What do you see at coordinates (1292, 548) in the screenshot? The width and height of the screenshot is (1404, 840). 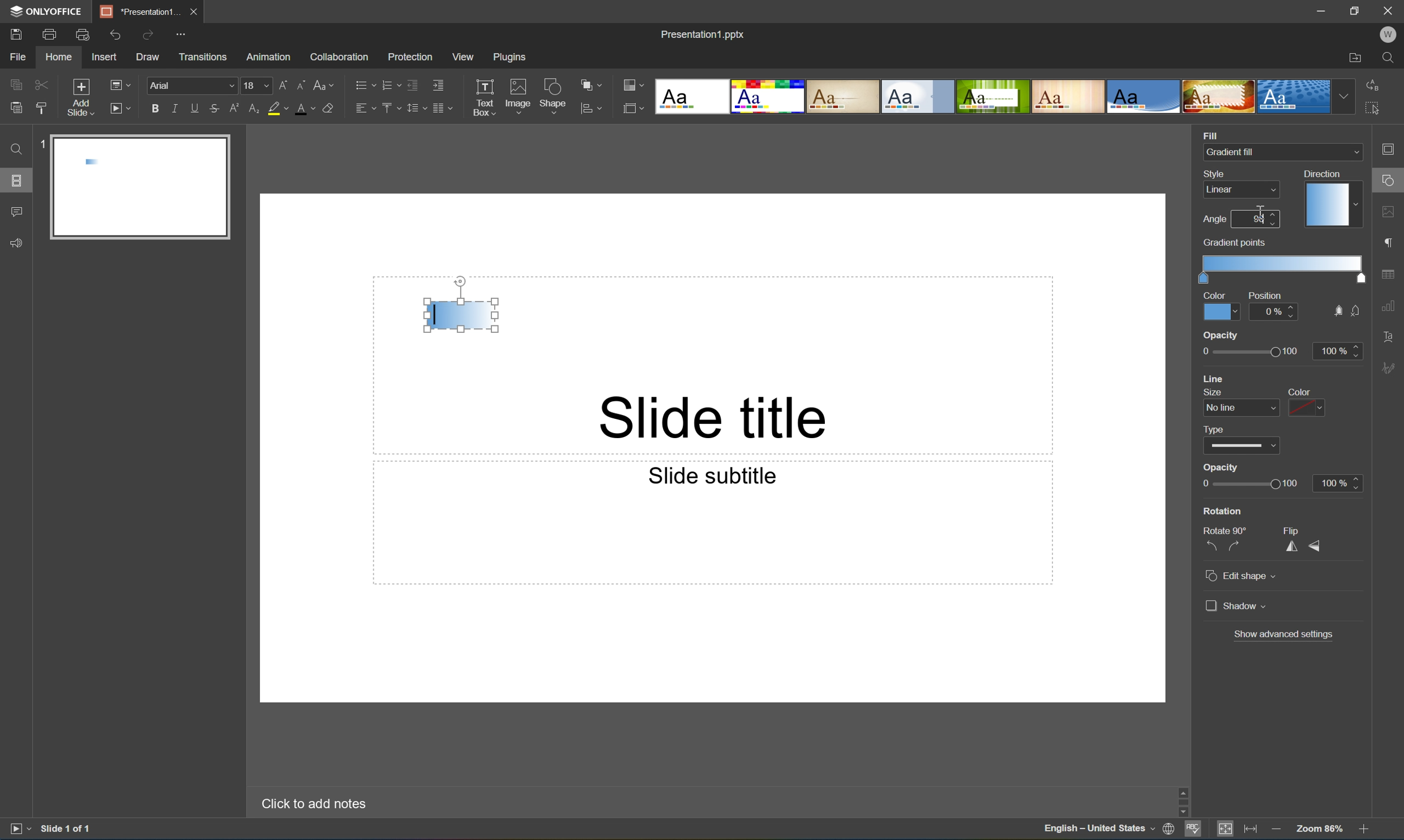 I see `Flip horizontally` at bounding box center [1292, 548].